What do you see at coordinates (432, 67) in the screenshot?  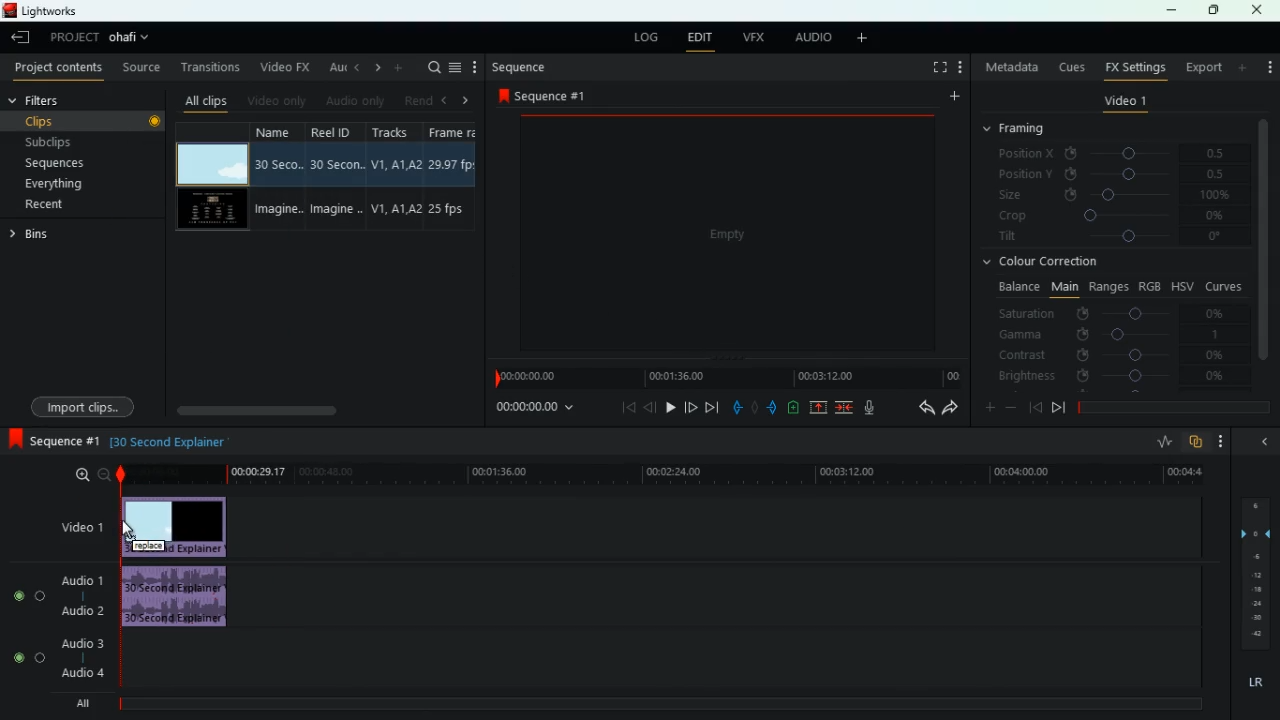 I see `search` at bounding box center [432, 67].